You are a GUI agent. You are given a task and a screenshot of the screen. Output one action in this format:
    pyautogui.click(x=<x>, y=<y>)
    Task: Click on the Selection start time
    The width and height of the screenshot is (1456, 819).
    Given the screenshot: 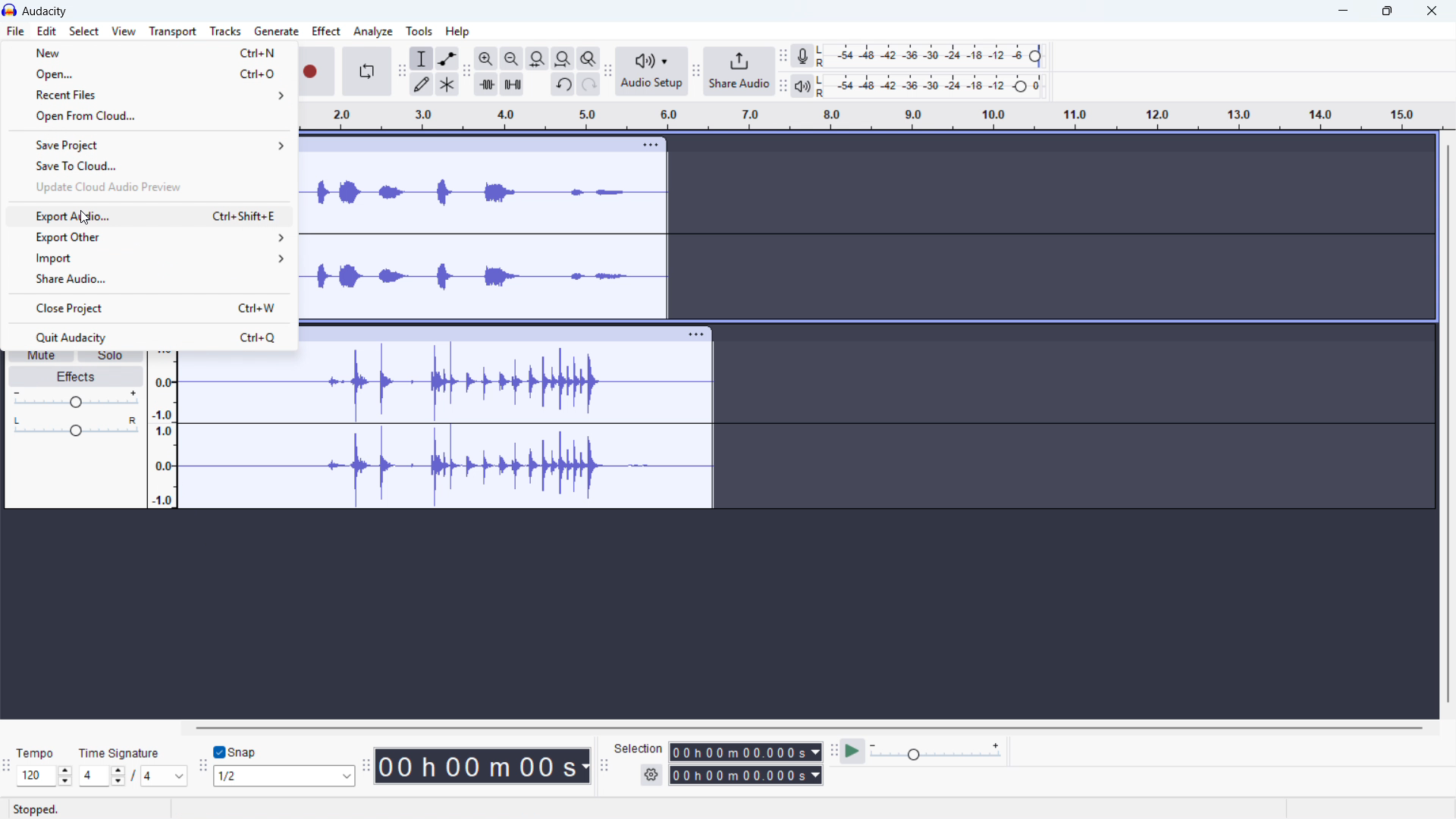 What is the action you would take?
    pyautogui.click(x=745, y=752)
    